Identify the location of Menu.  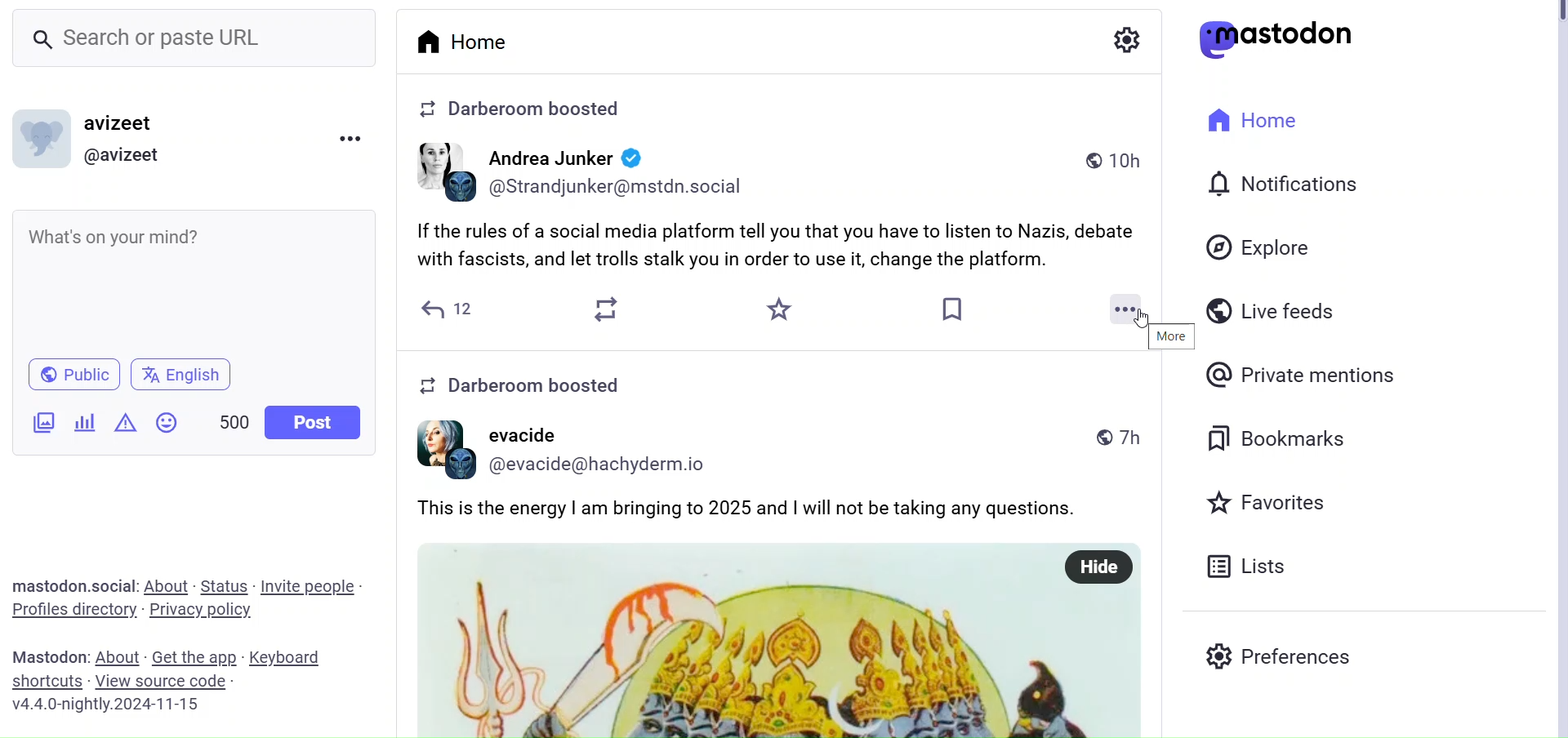
(350, 138).